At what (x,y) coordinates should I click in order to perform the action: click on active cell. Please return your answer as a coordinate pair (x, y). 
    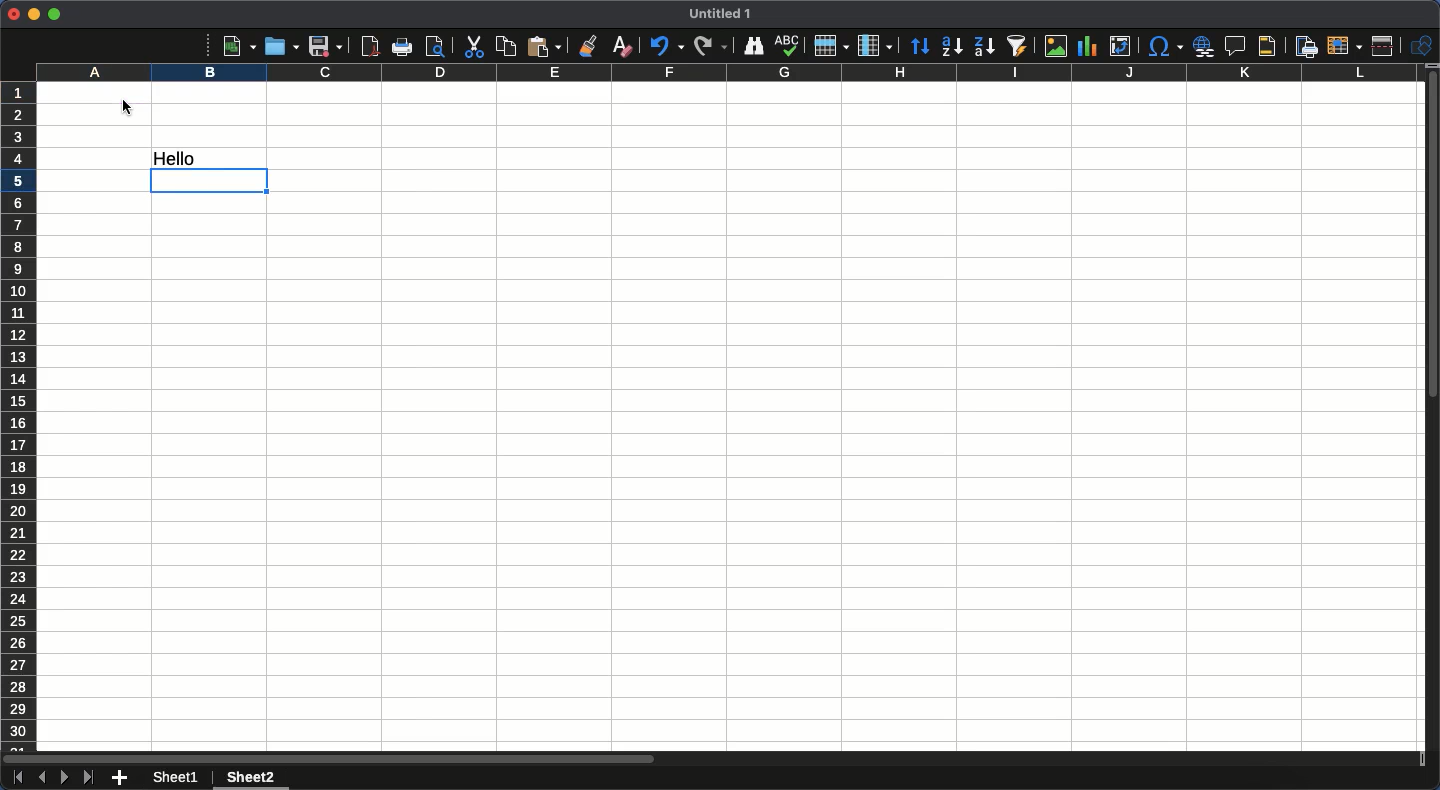
    Looking at the image, I should click on (208, 181).